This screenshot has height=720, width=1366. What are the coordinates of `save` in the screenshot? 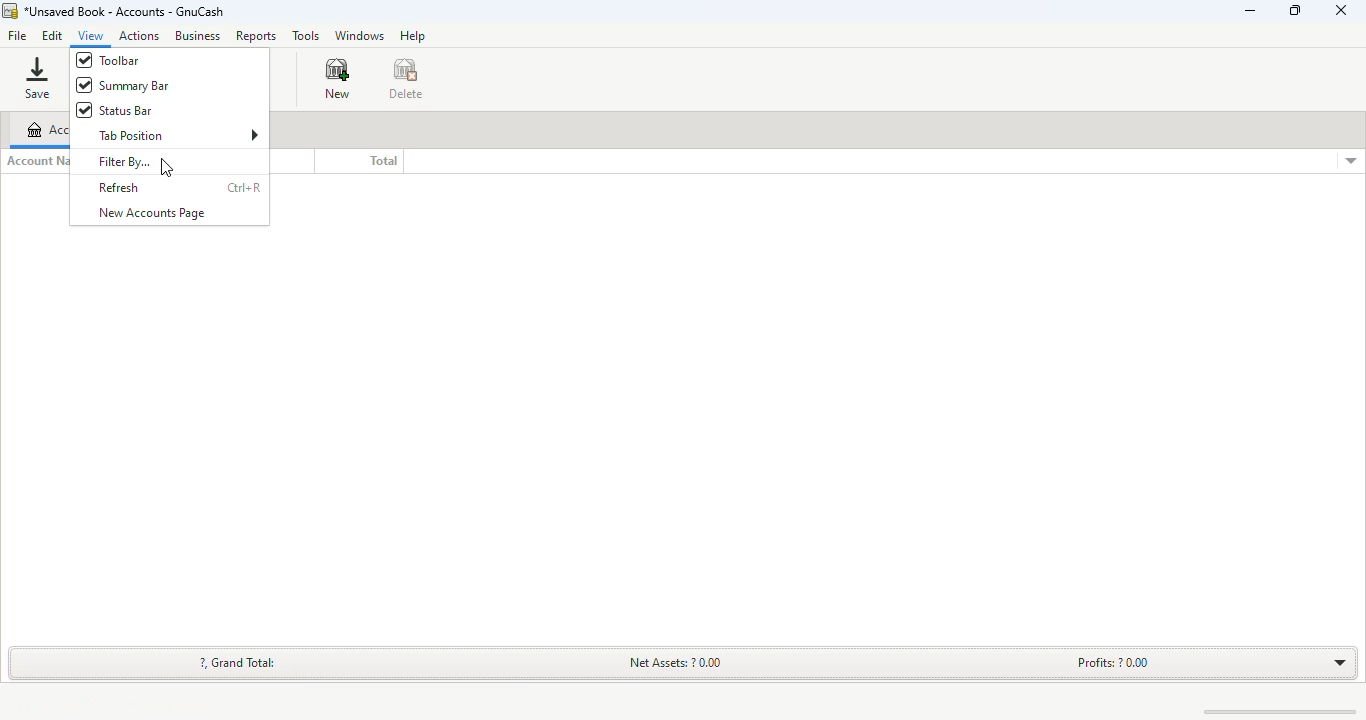 It's located at (37, 78).